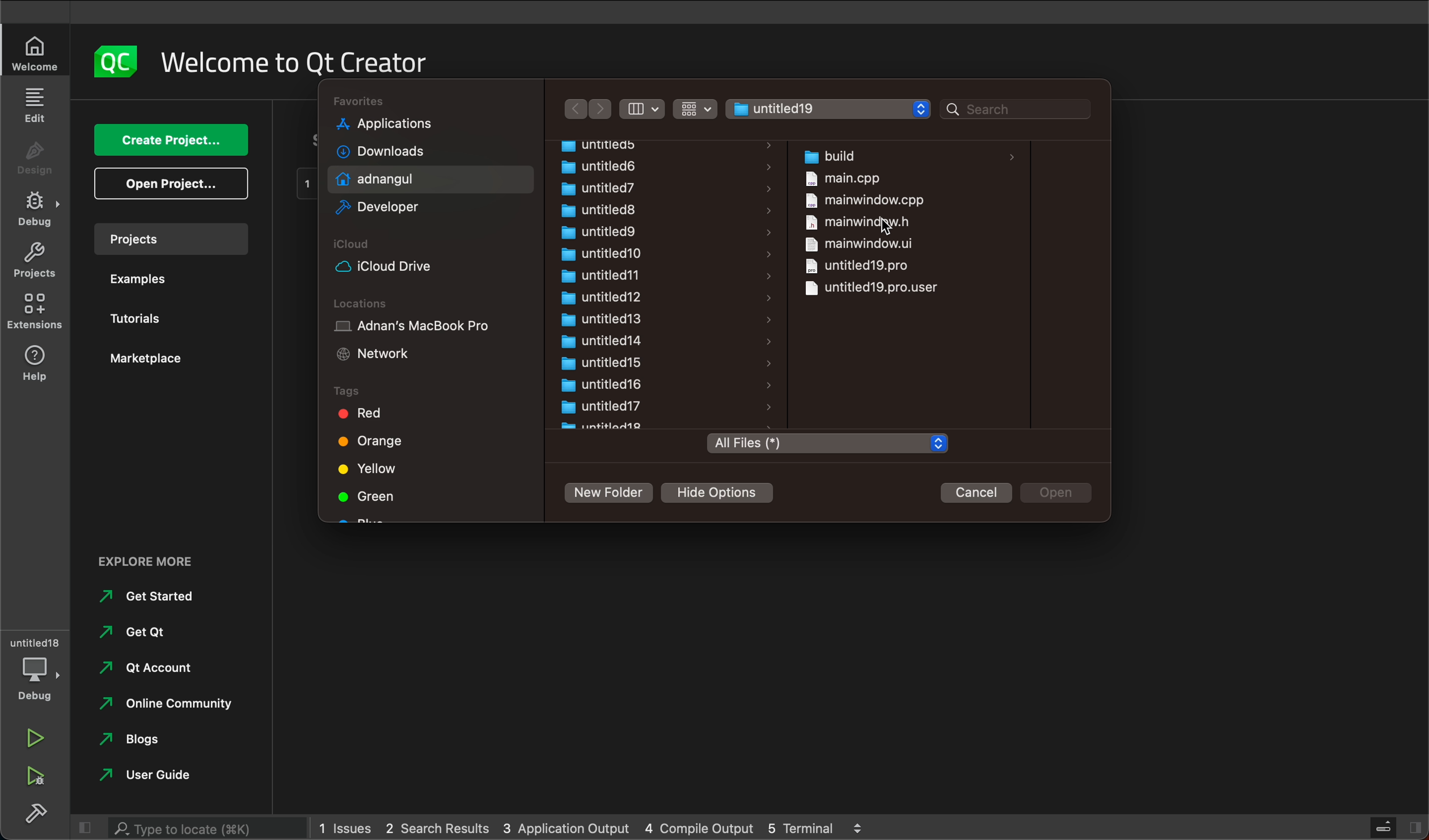 The image size is (1429, 840). Describe the element at coordinates (161, 596) in the screenshot. I see `get started` at that location.